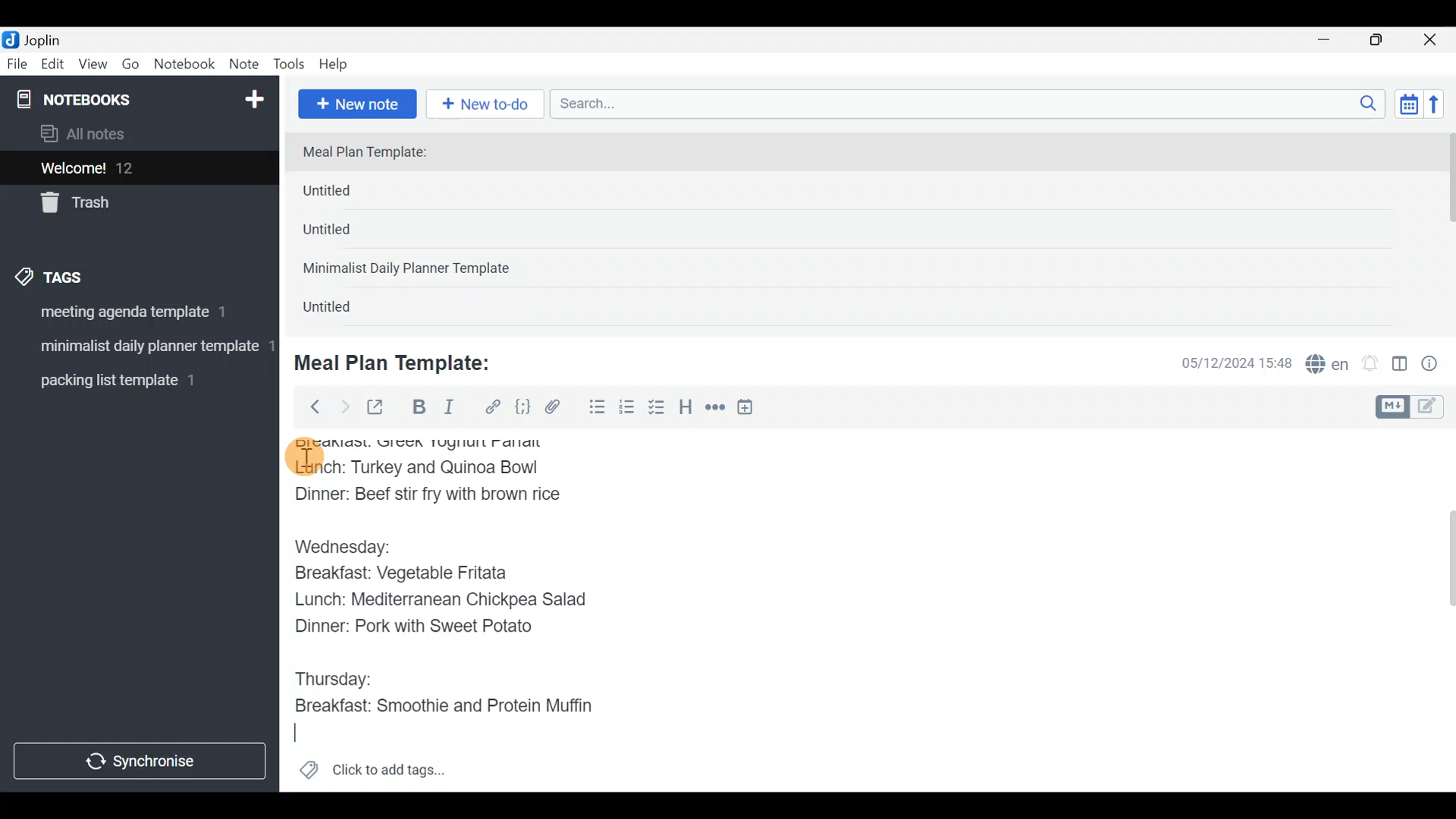  I want to click on Edit, so click(53, 67).